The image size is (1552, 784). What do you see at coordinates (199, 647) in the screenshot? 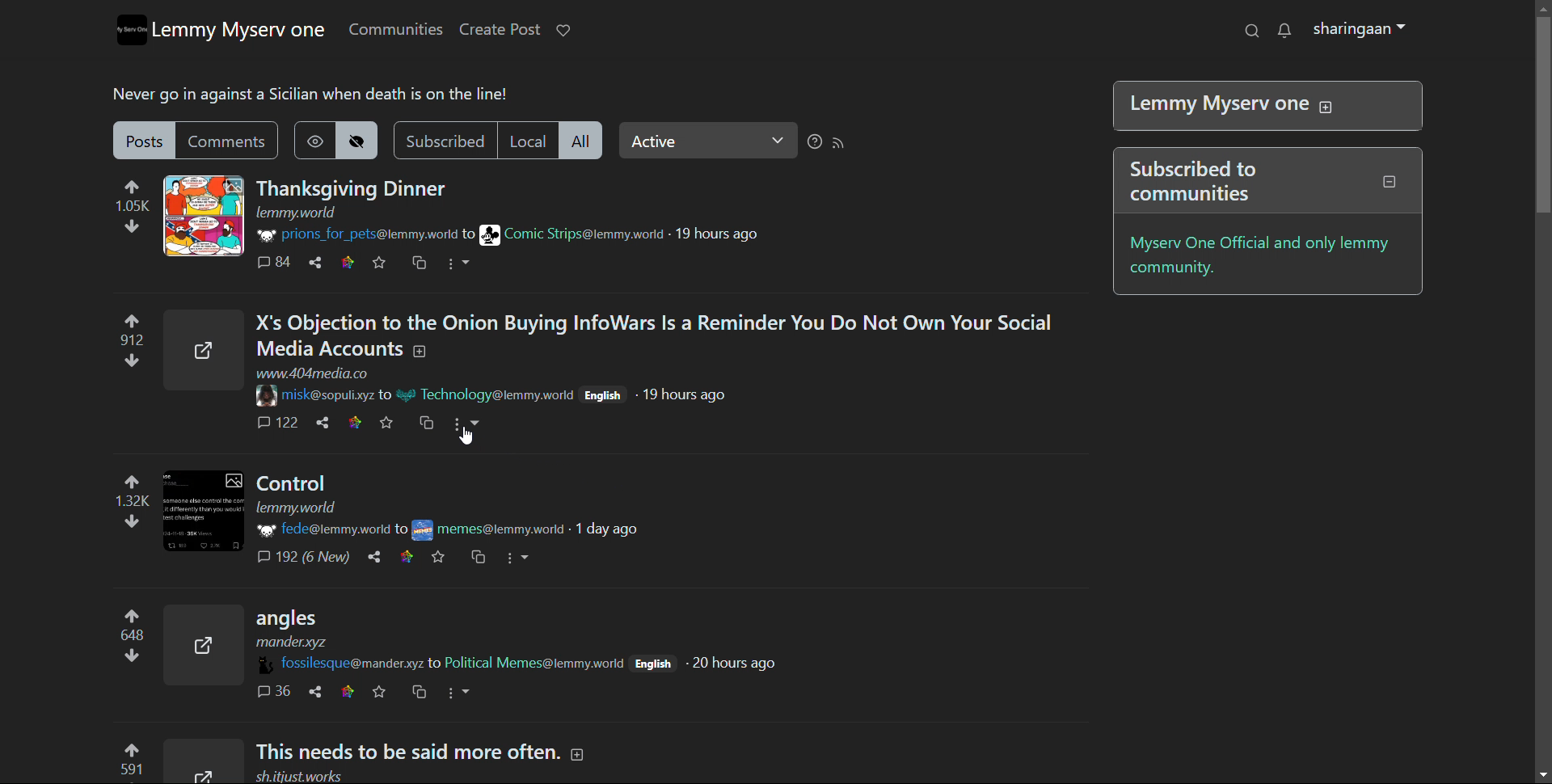
I see `Expand here with this image` at bounding box center [199, 647].